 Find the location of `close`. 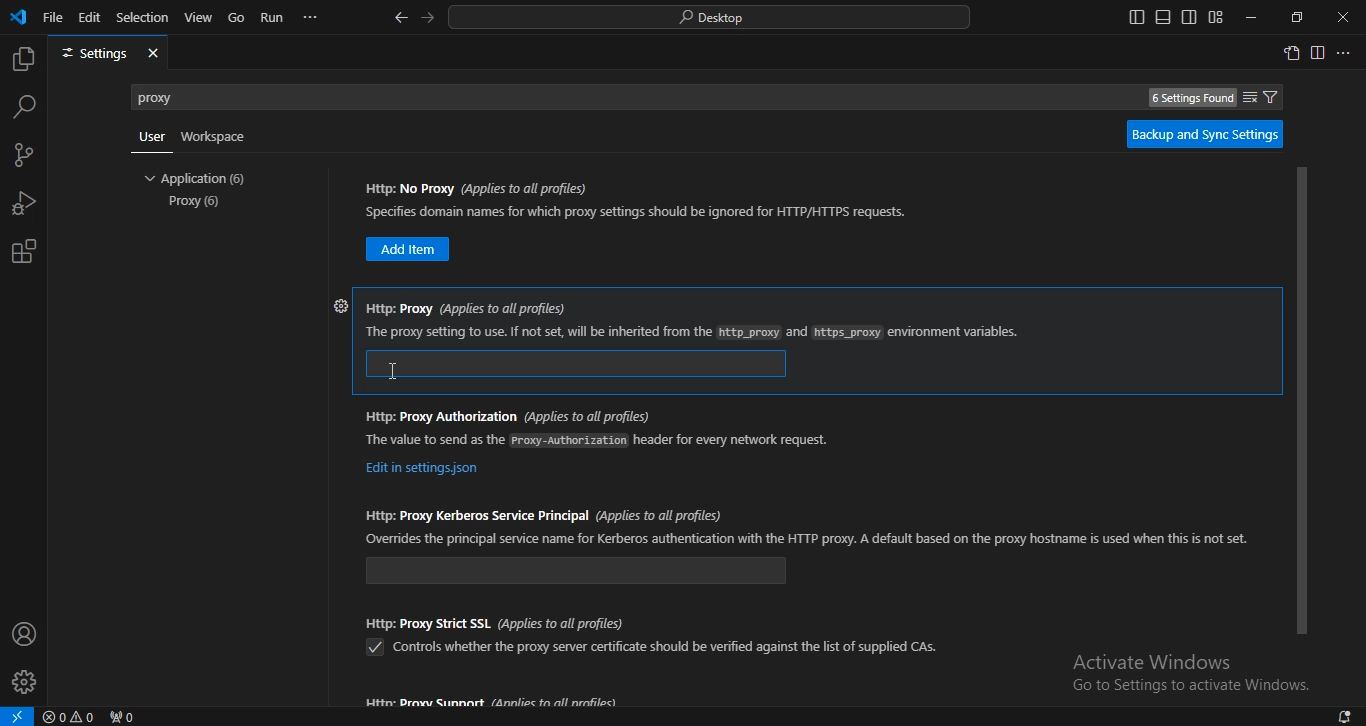

close is located at coordinates (154, 53).